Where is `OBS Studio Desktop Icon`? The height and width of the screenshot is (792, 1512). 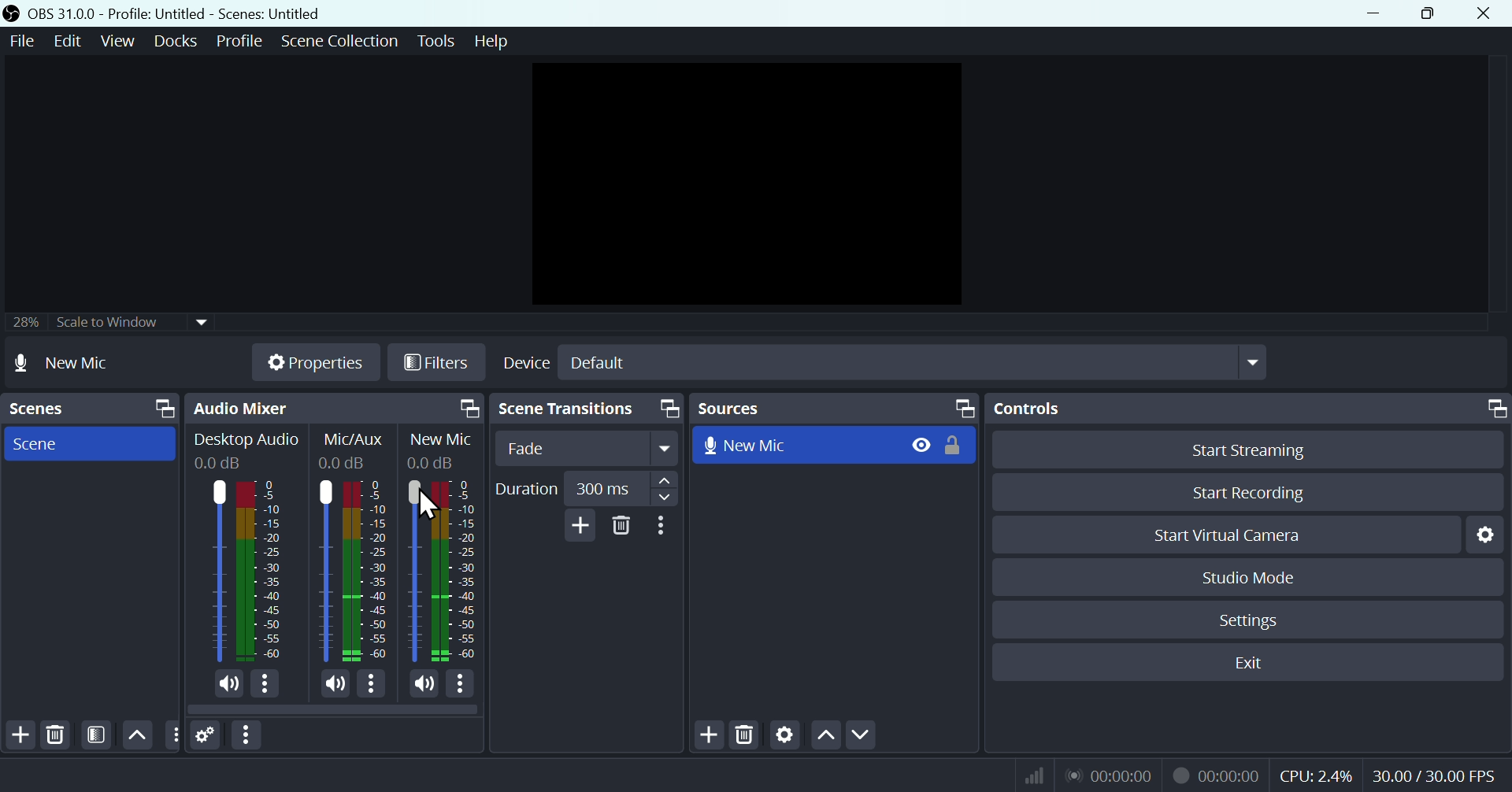
OBS Studio Desktop Icon is located at coordinates (12, 13).